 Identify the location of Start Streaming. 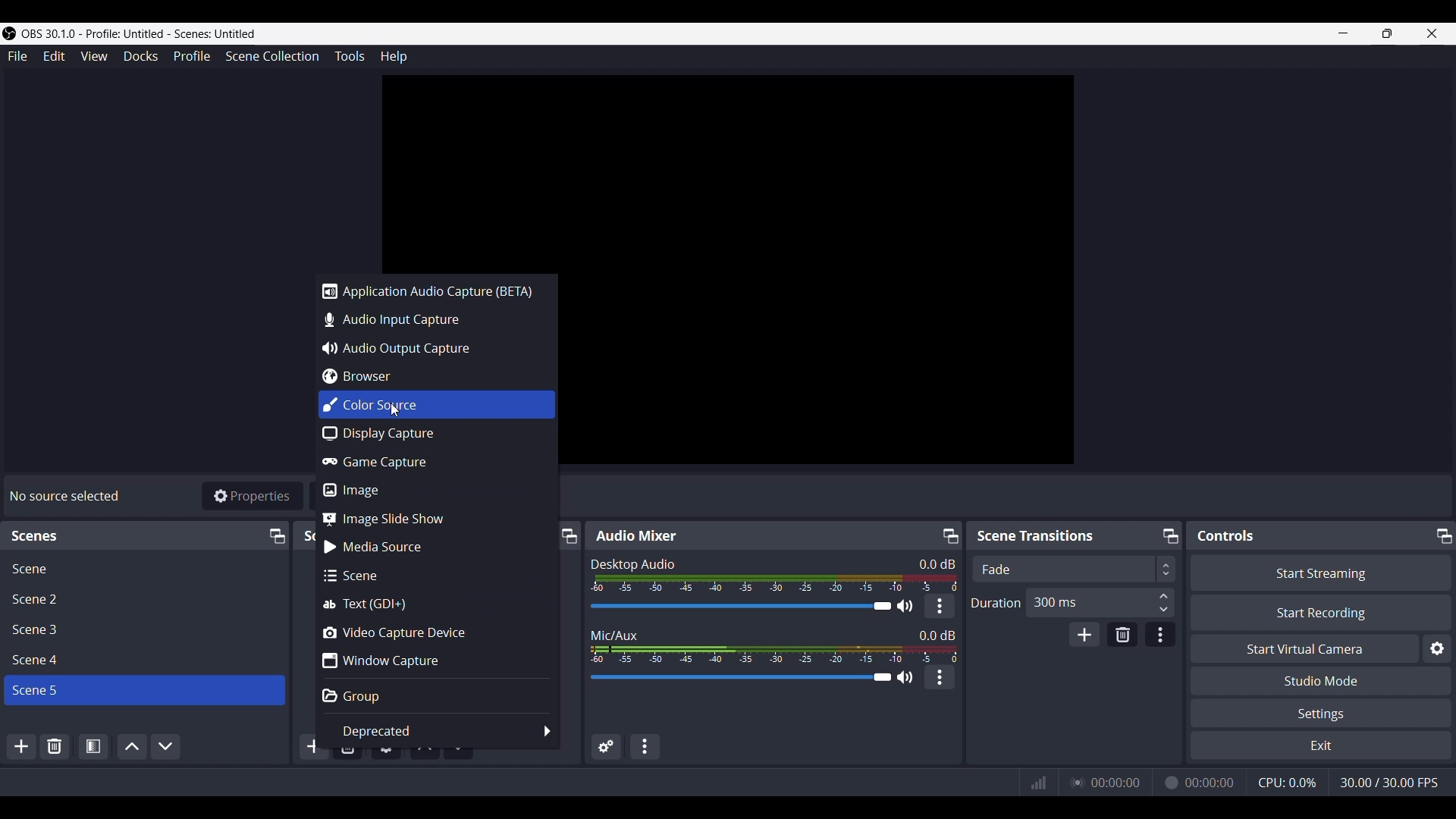
(1319, 571).